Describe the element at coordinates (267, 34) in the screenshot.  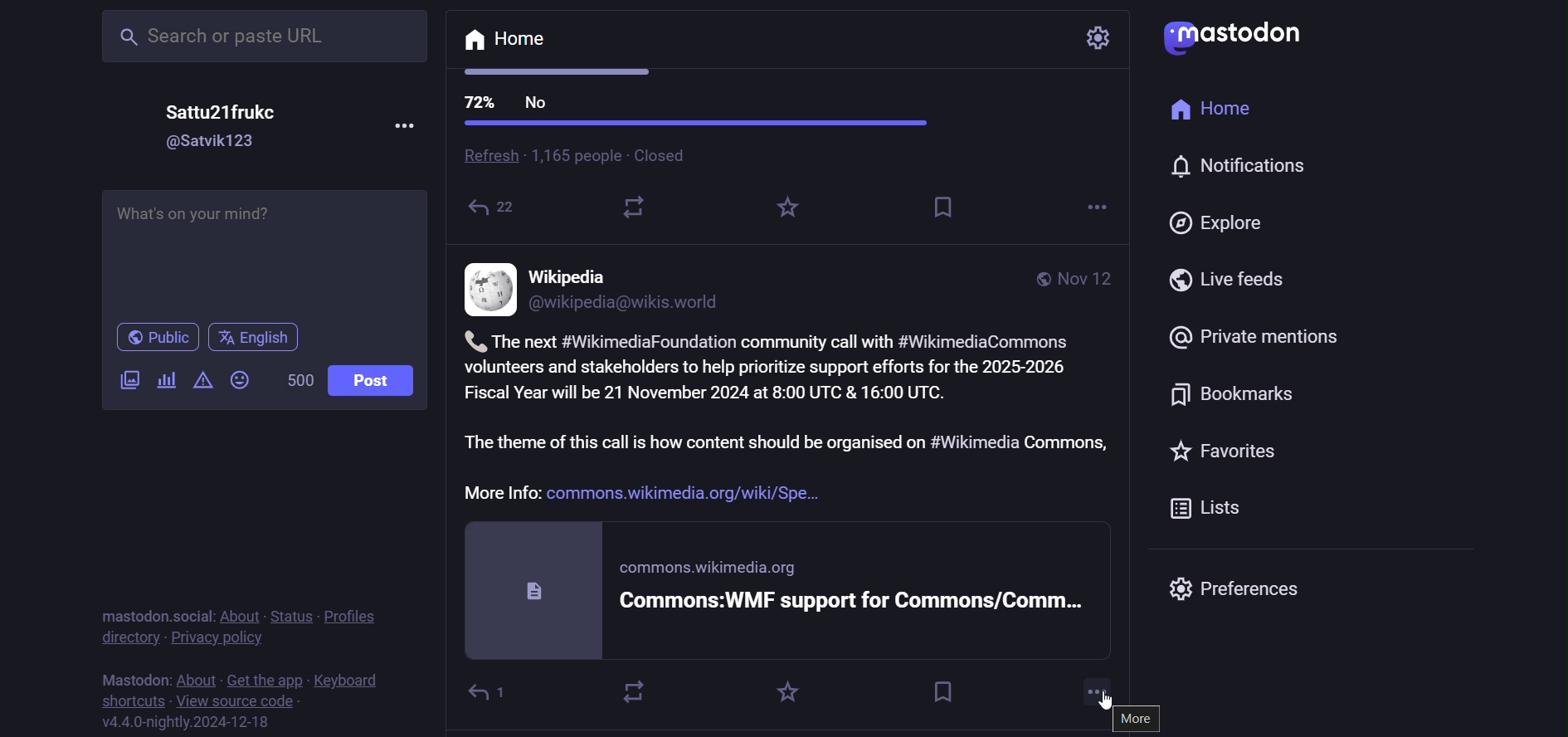
I see `search` at that location.